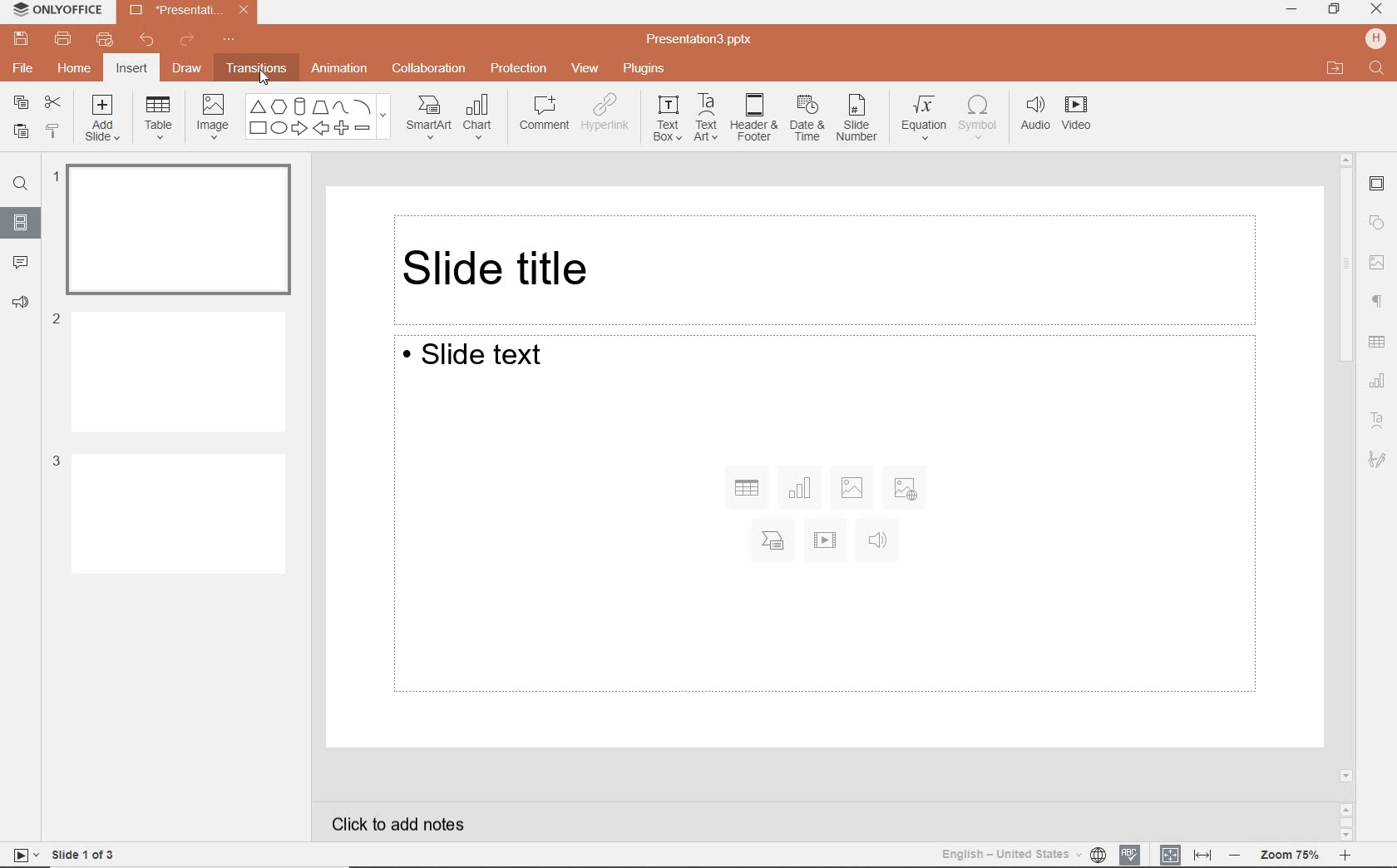  What do you see at coordinates (169, 369) in the screenshot?
I see `Slide 2` at bounding box center [169, 369].